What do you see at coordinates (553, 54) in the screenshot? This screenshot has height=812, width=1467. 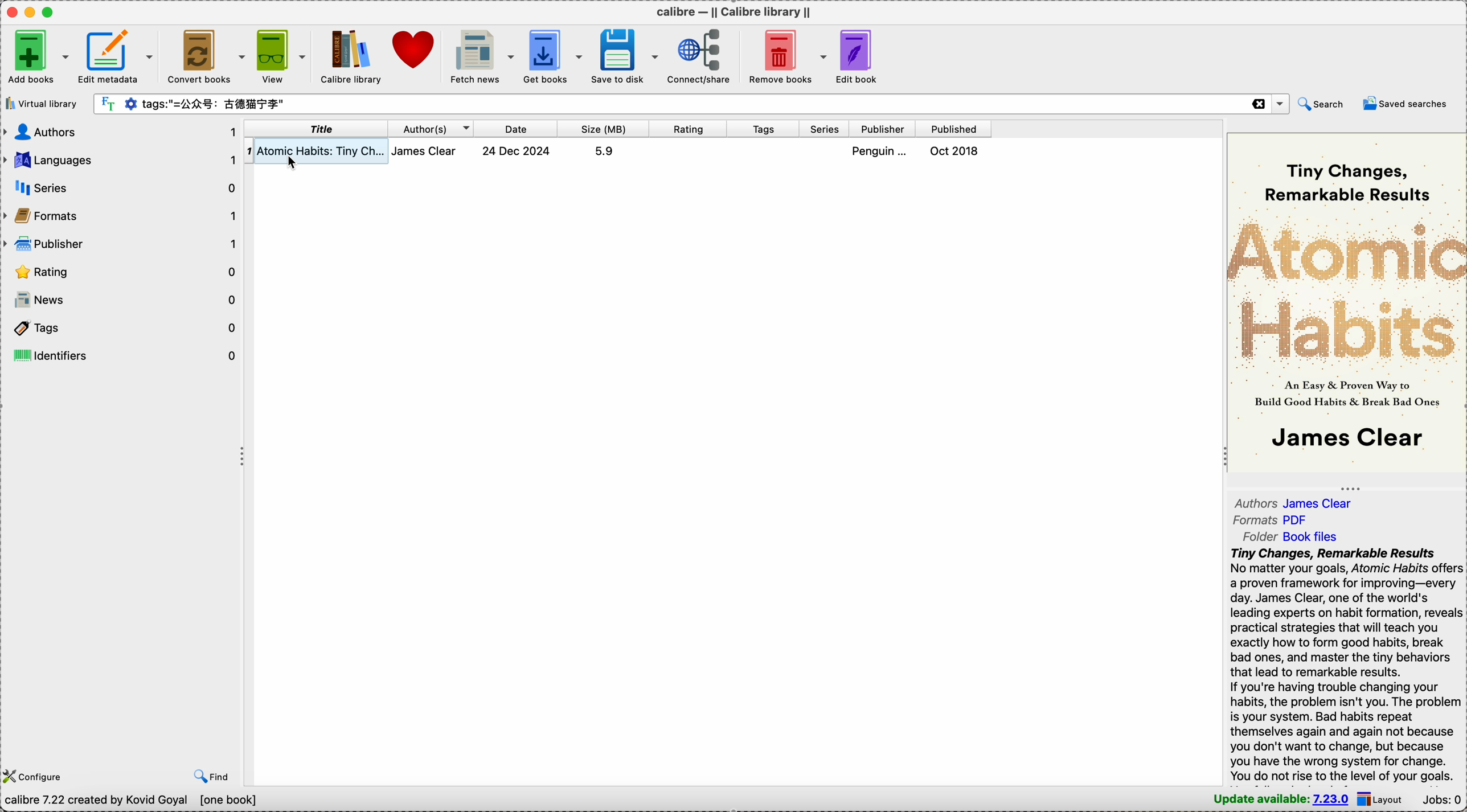 I see `get books` at bounding box center [553, 54].